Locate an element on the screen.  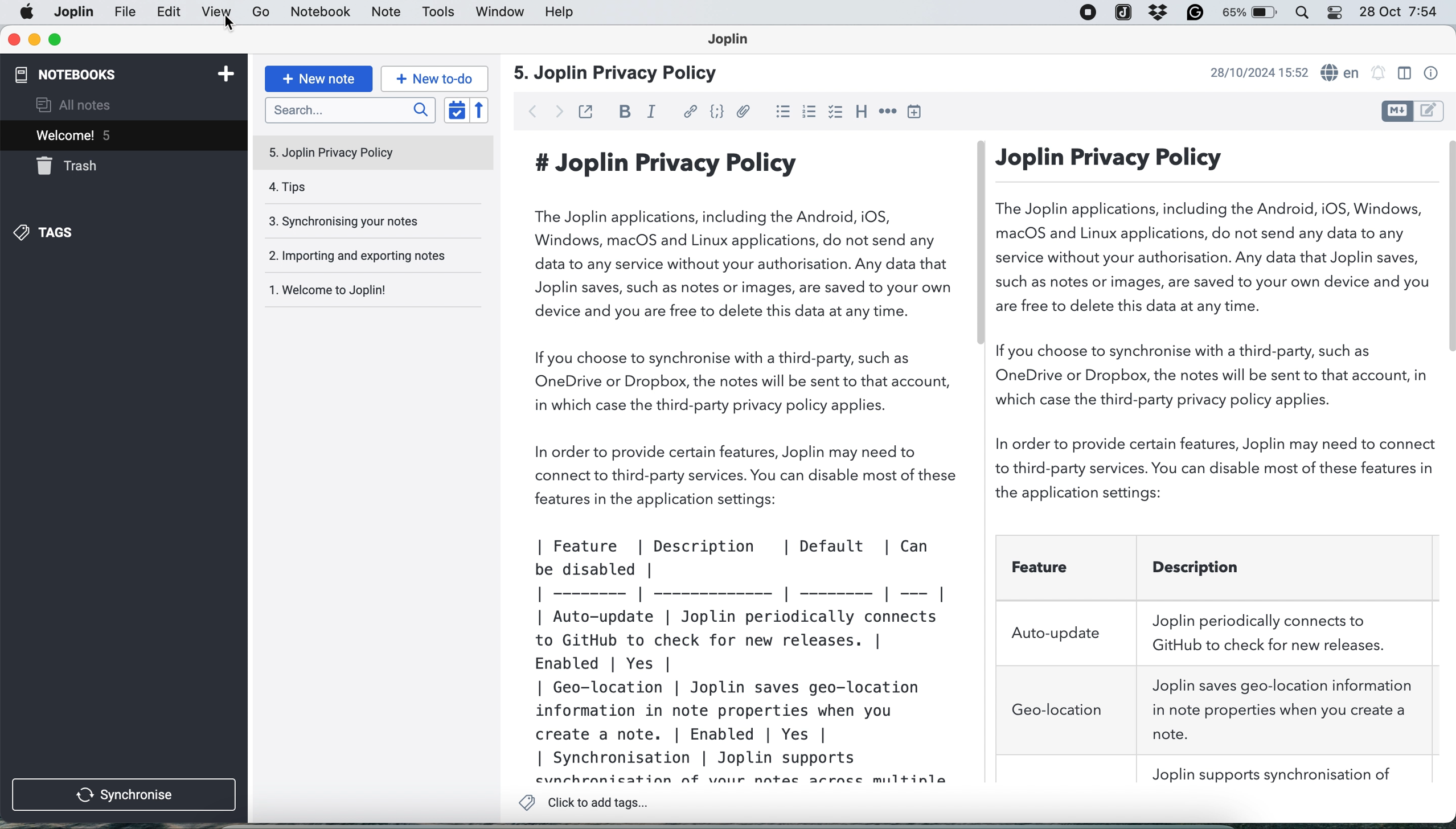
add notebook is located at coordinates (226, 74).